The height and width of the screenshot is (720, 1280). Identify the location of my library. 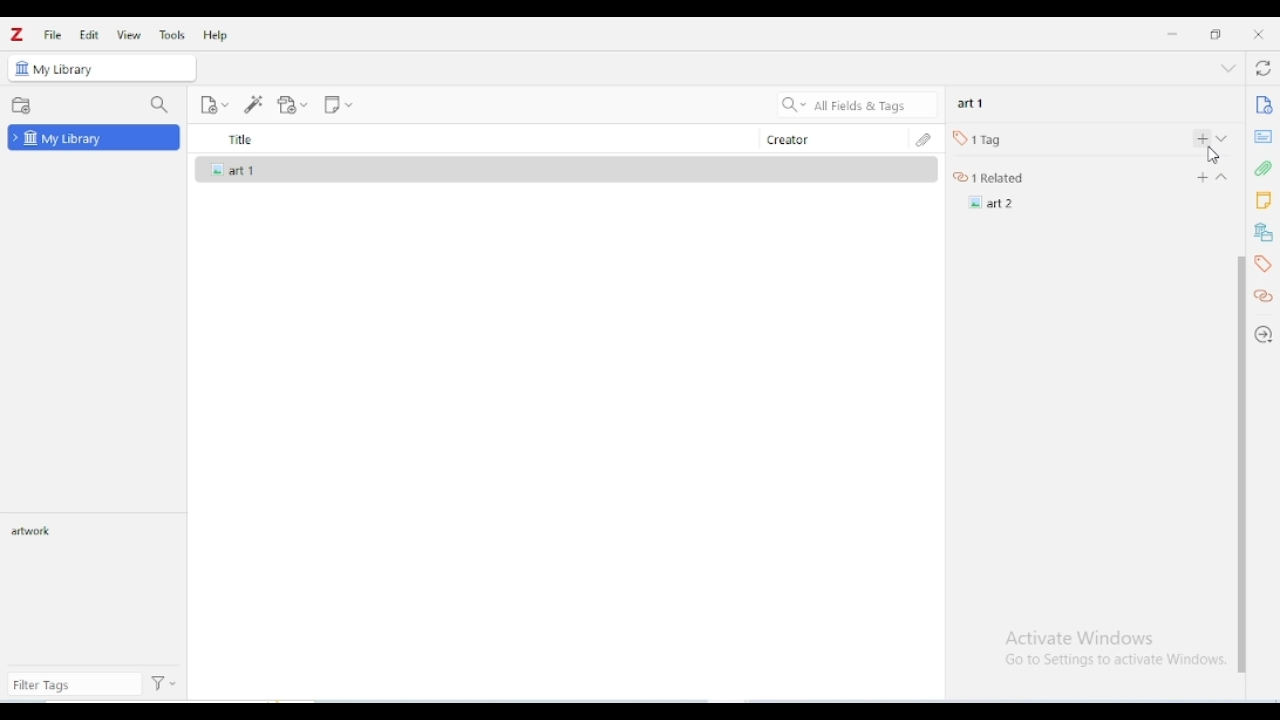
(94, 137).